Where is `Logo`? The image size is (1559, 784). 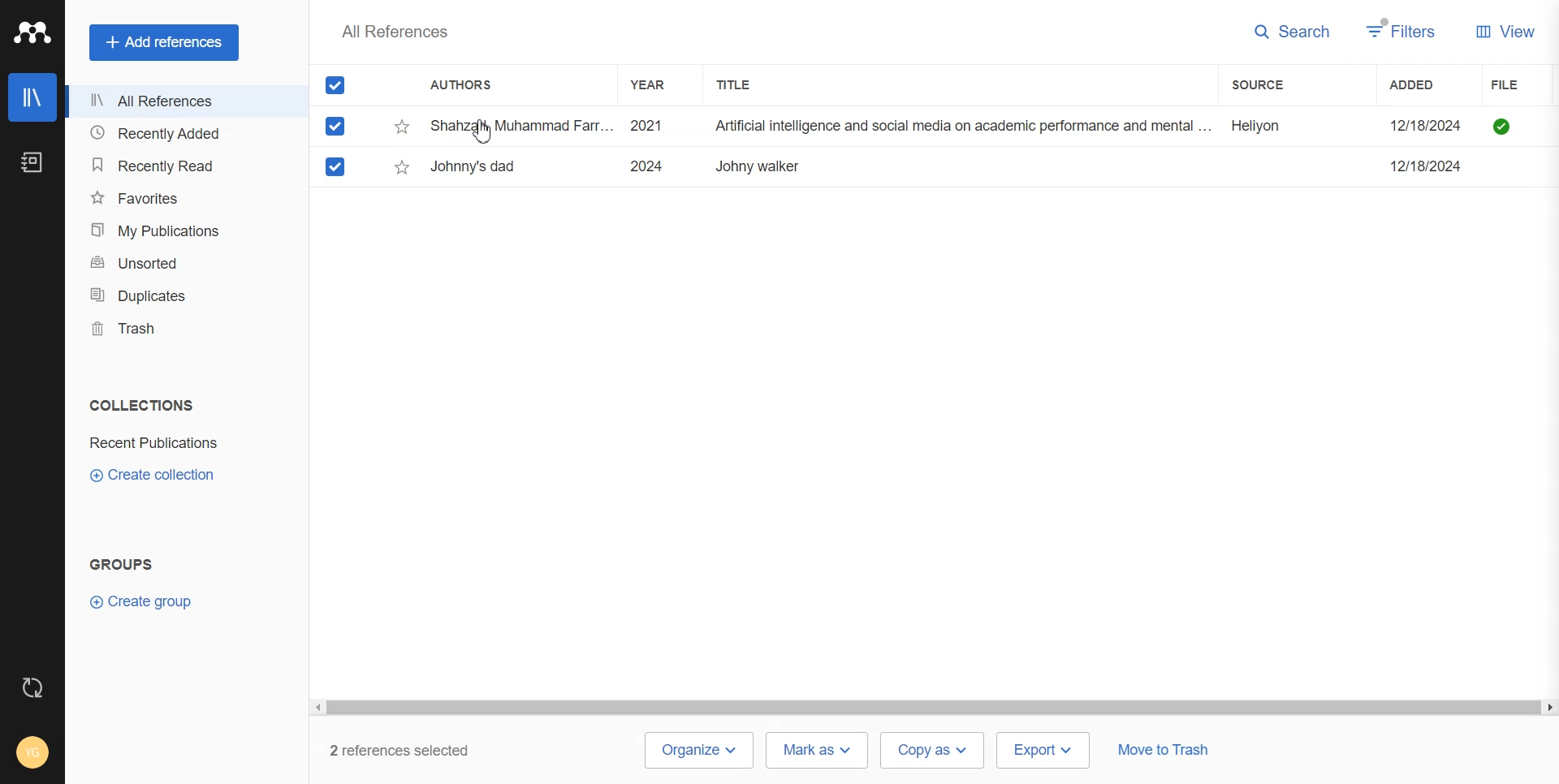 Logo is located at coordinates (32, 32).